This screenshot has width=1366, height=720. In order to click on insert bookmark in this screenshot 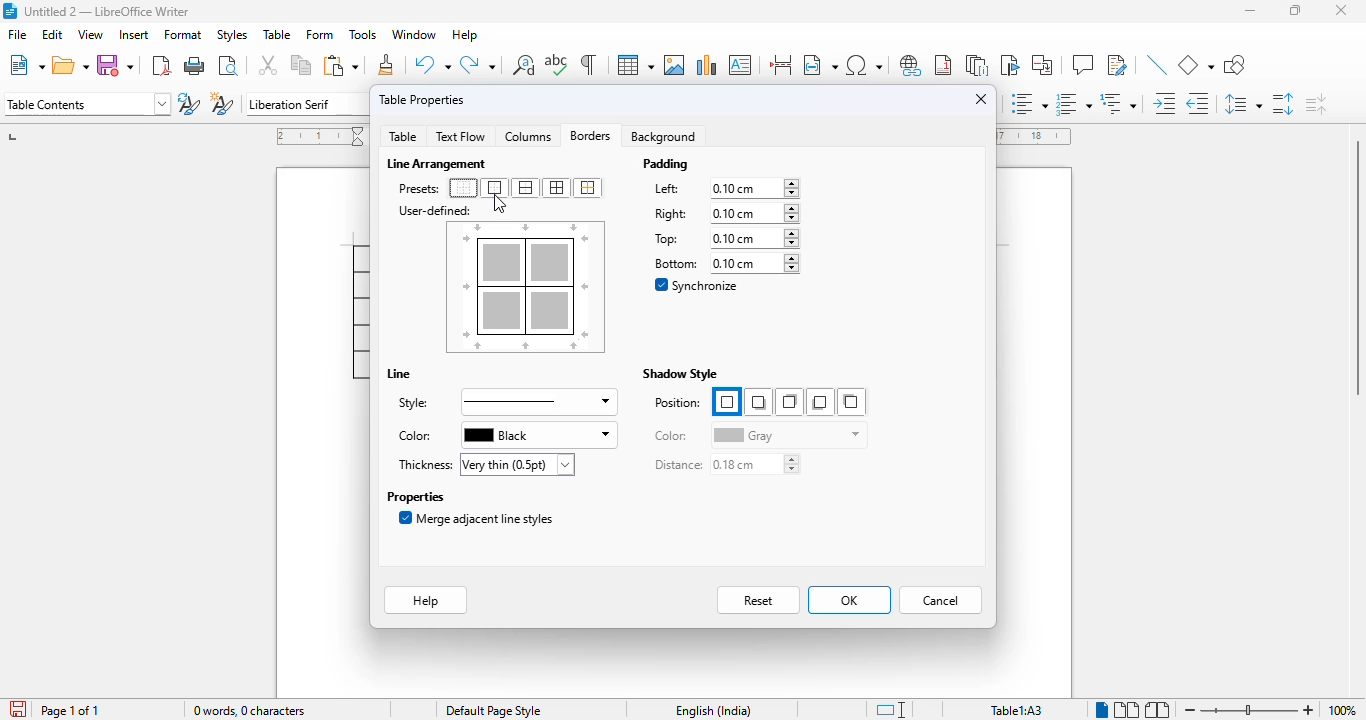, I will do `click(1008, 65)`.